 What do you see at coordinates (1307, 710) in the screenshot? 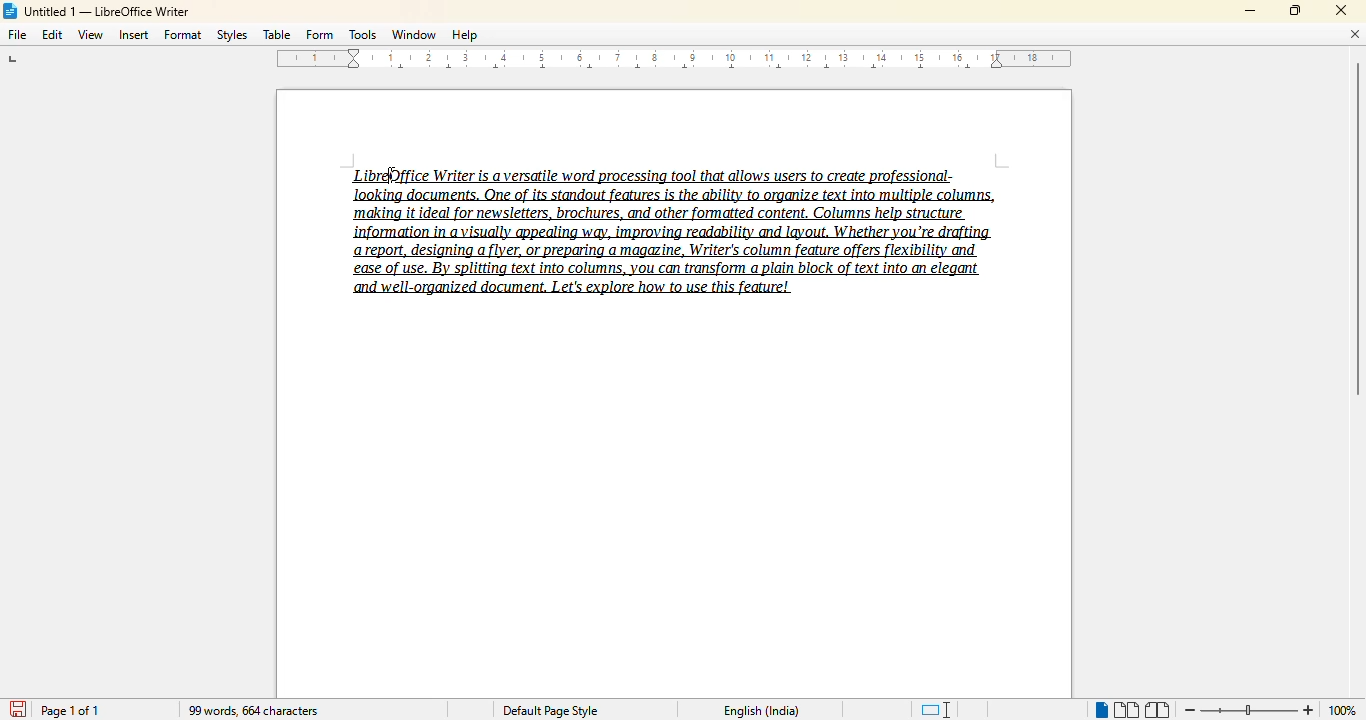
I see `zoom in` at bounding box center [1307, 710].